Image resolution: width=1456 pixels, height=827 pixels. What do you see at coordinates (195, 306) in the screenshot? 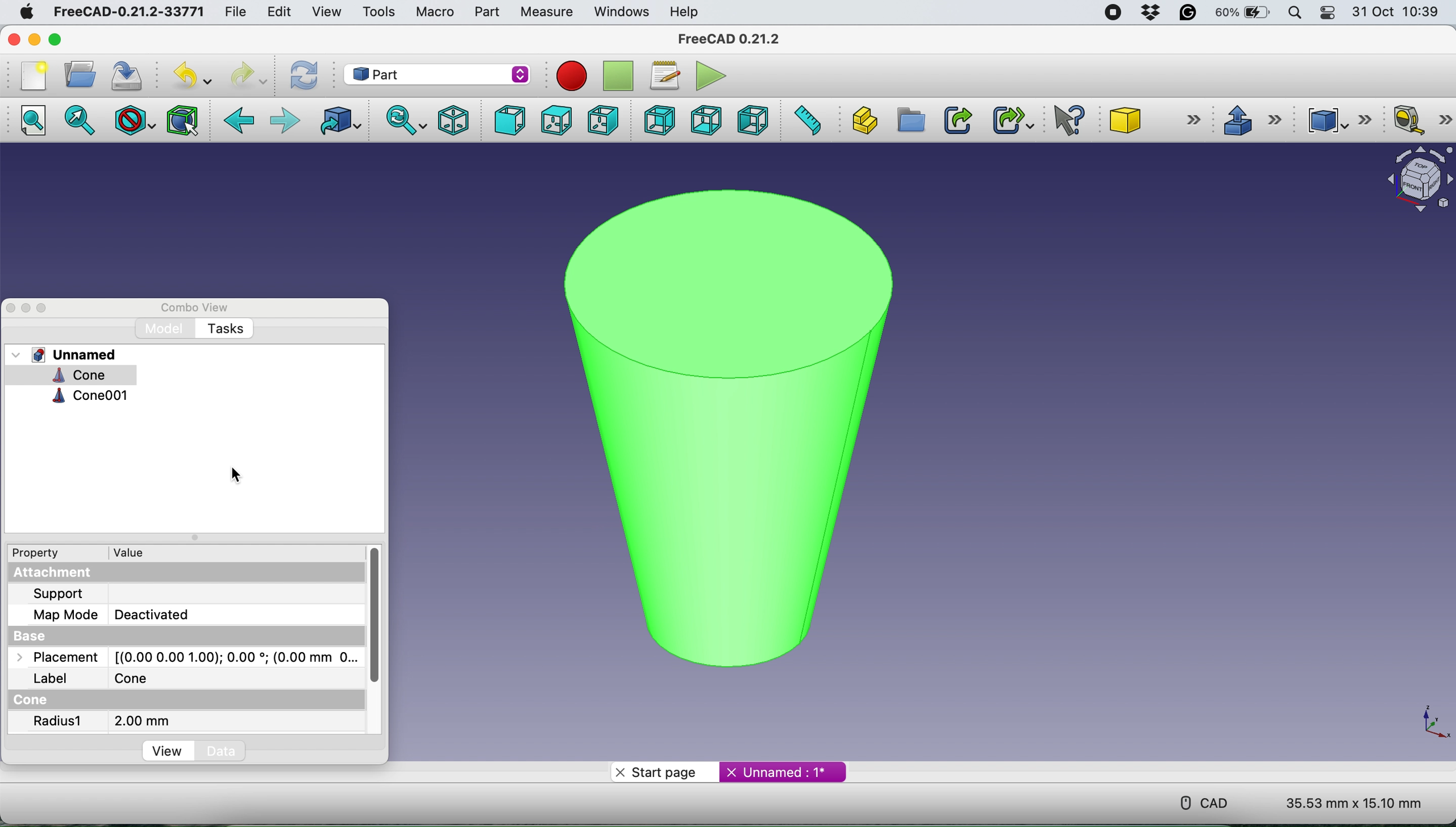
I see `combo view` at bounding box center [195, 306].